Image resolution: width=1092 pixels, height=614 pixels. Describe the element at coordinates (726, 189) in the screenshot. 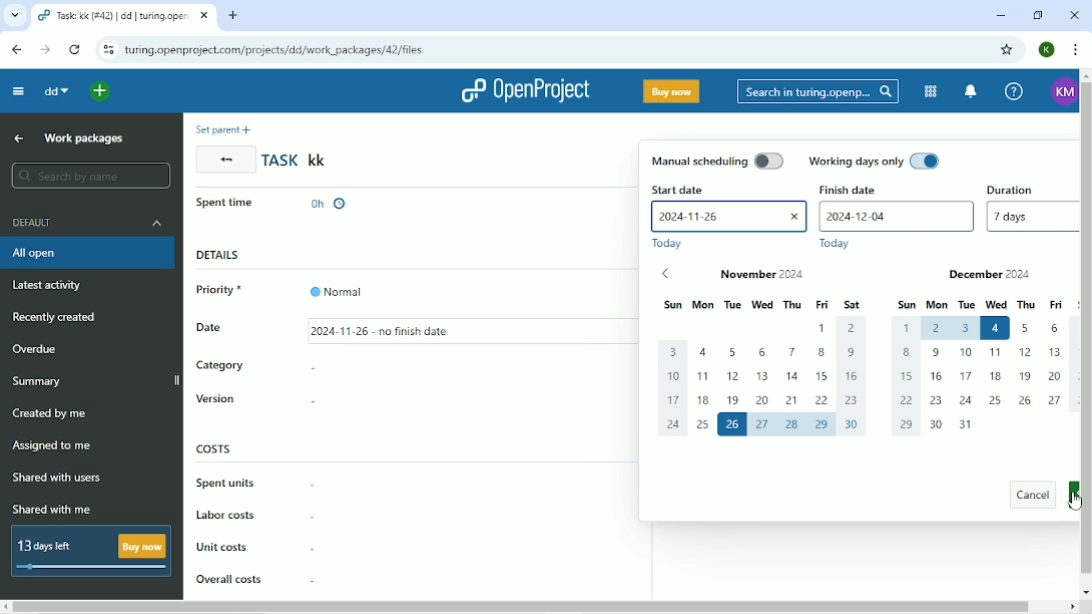

I see `Start date` at that location.